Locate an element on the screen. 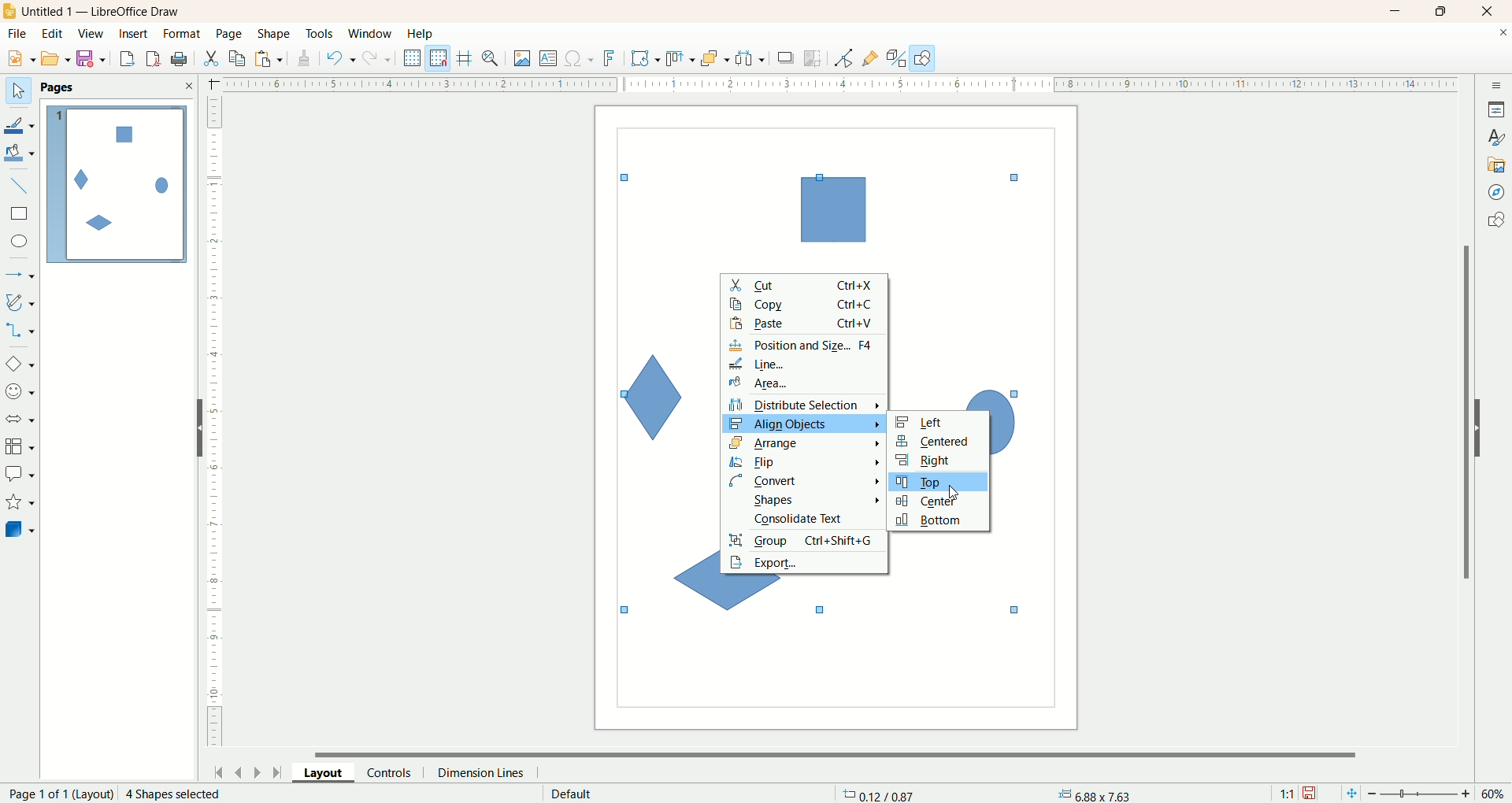  hide is located at coordinates (1486, 425).